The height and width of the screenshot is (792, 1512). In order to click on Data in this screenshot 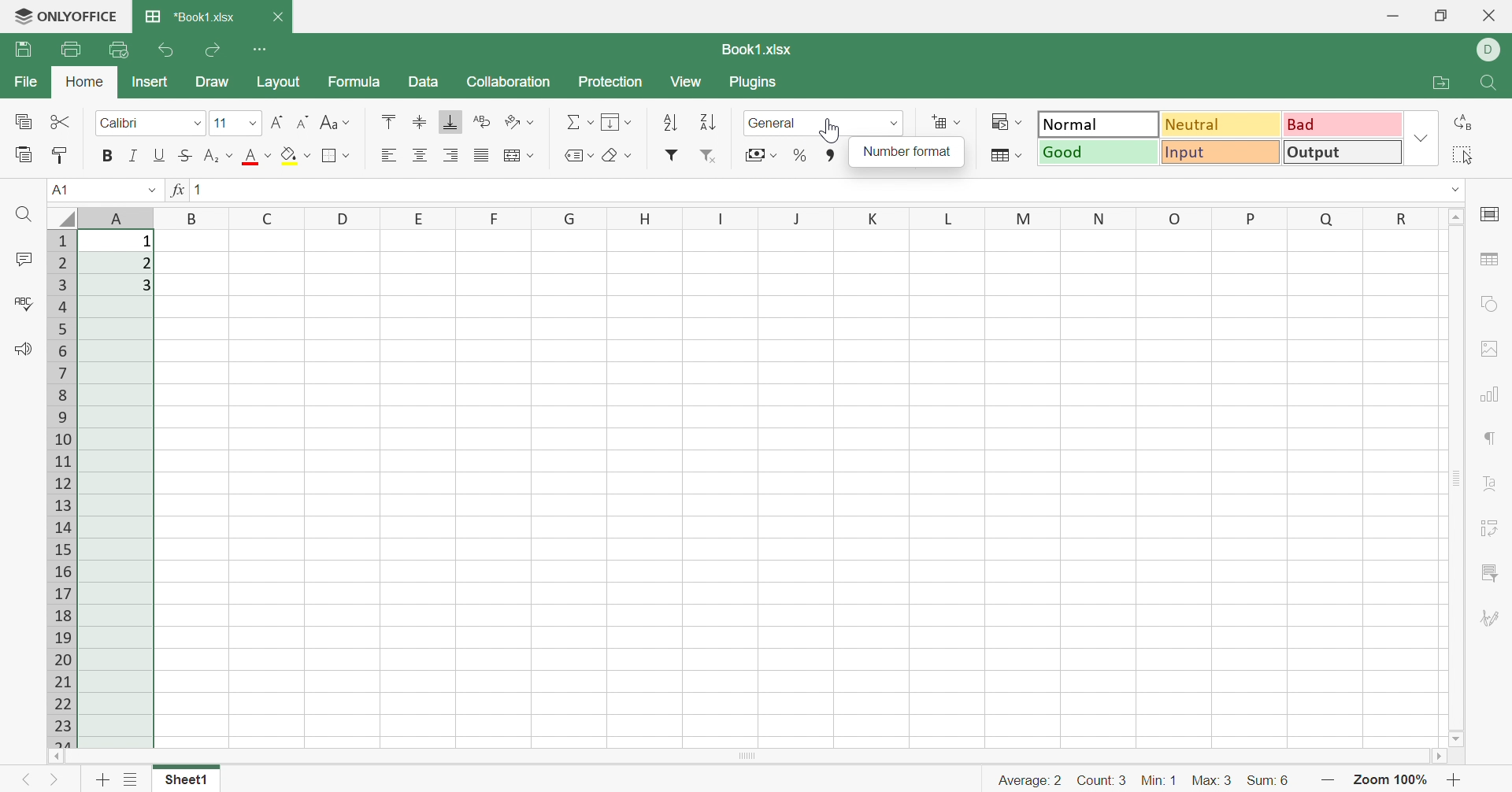, I will do `click(424, 81)`.